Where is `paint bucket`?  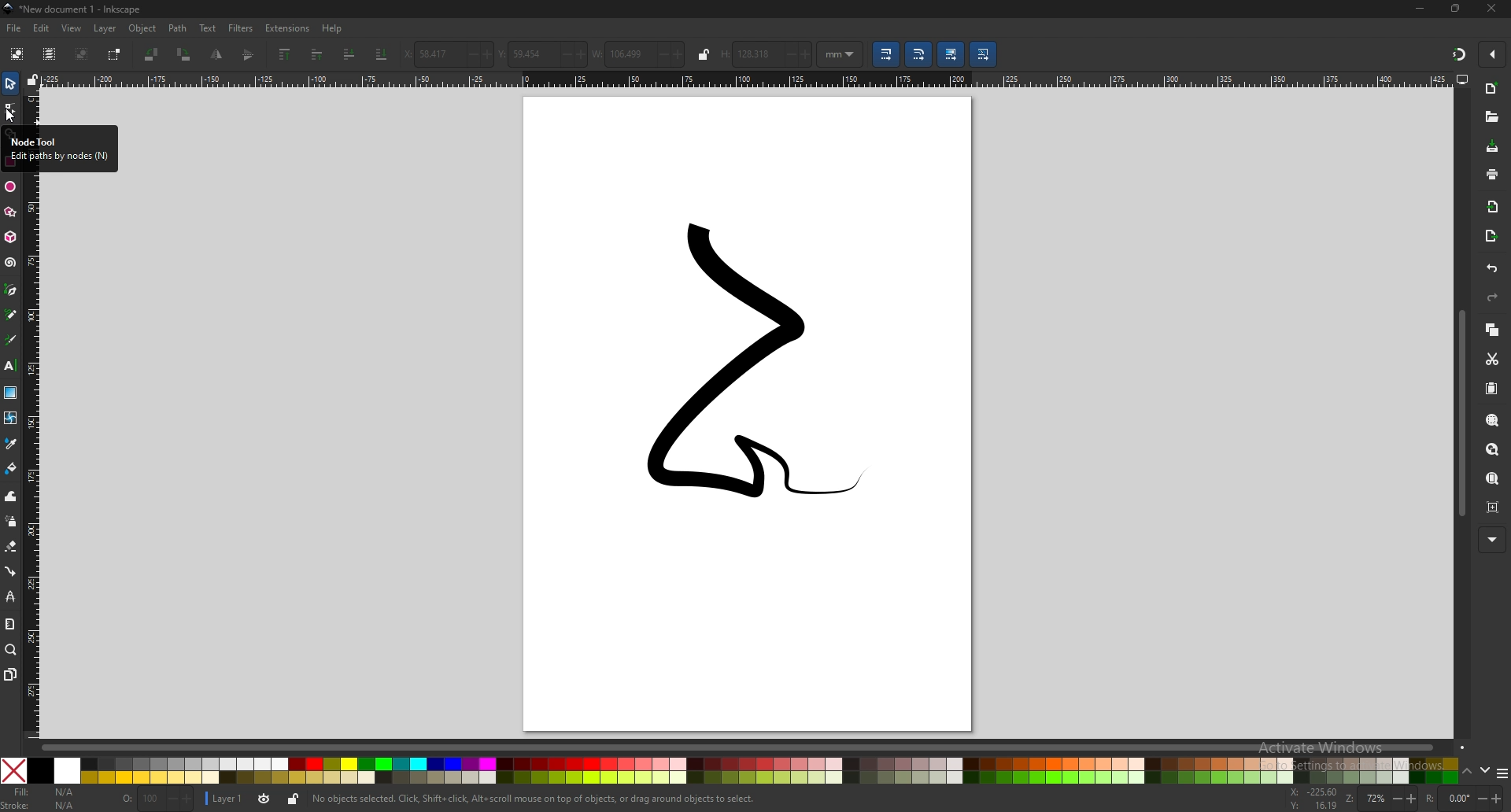 paint bucket is located at coordinates (10, 469).